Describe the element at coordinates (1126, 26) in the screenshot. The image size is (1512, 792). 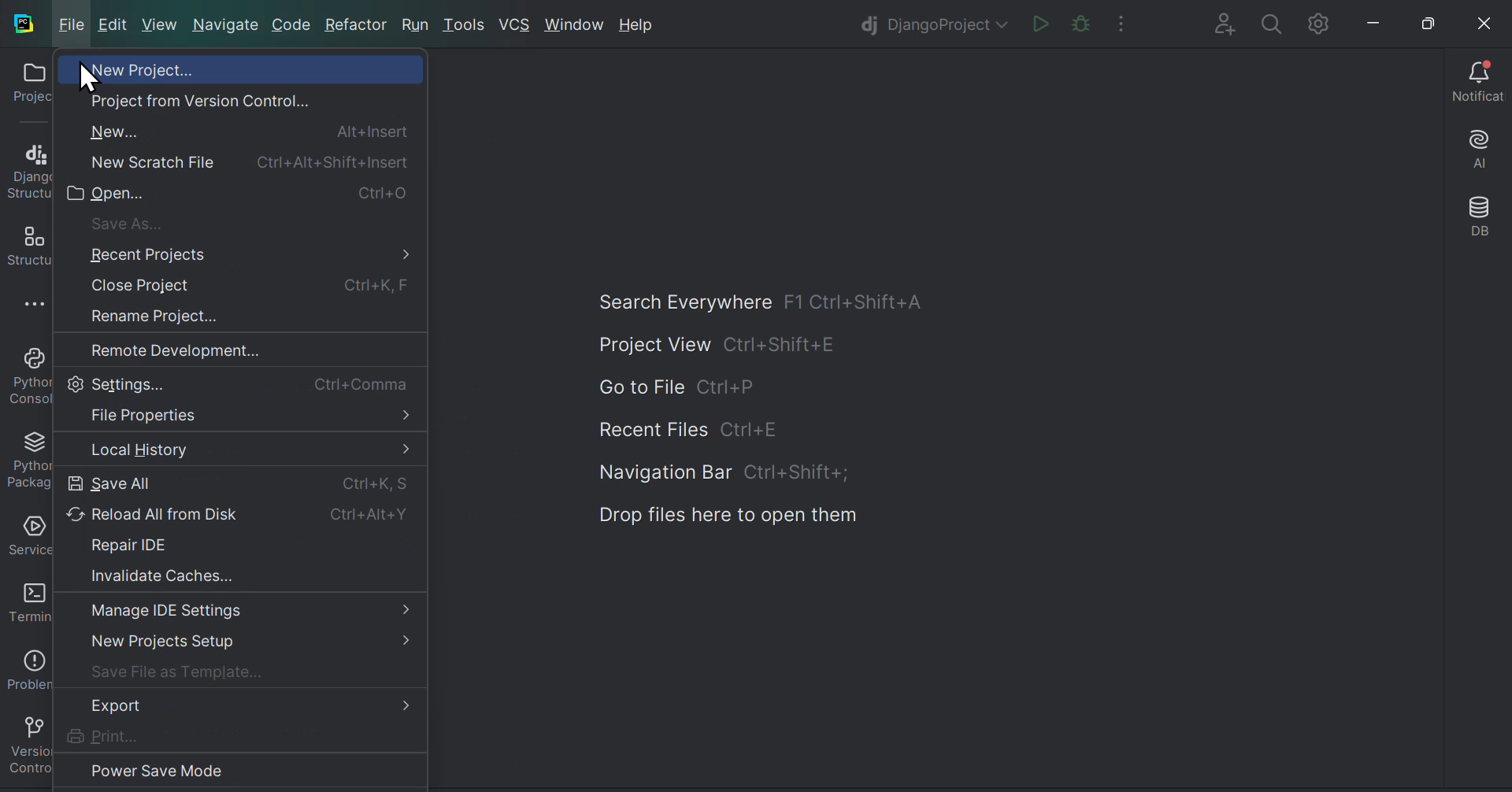
I see `More actions` at that location.